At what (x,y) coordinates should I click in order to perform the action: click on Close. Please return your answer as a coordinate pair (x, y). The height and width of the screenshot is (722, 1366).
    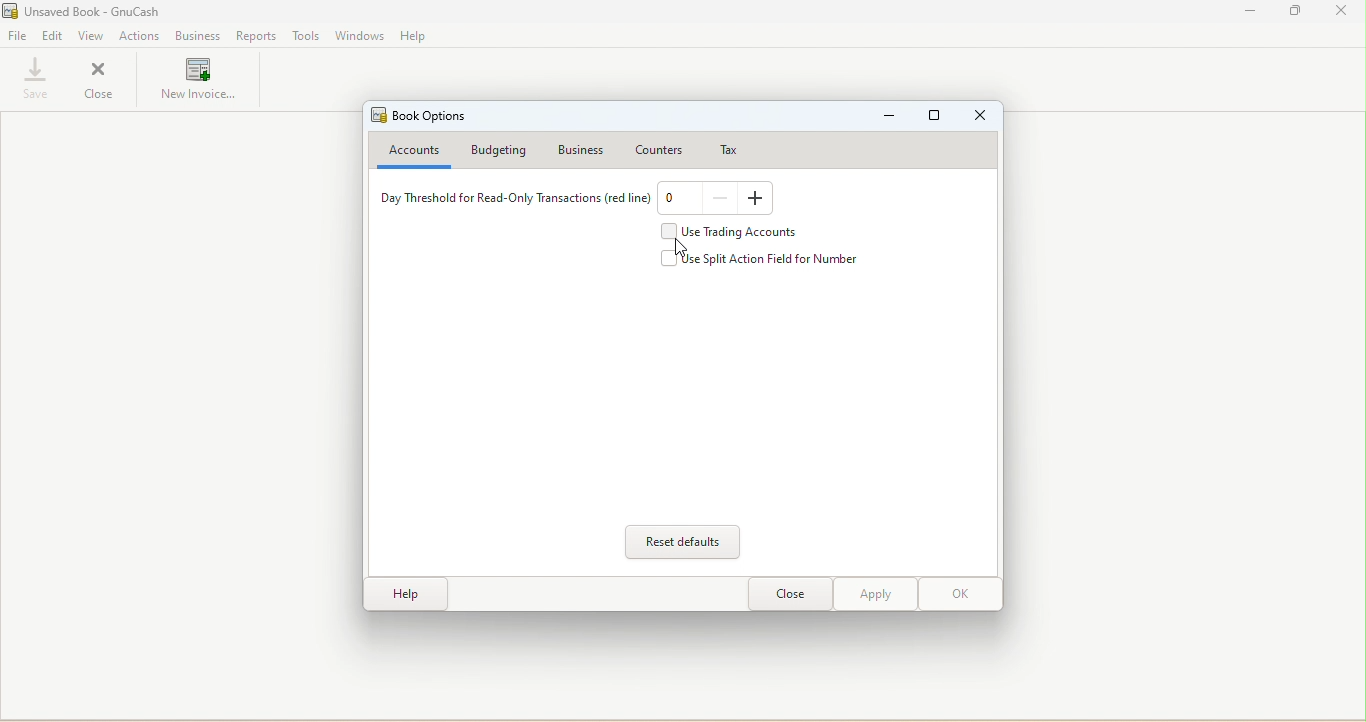
    Looking at the image, I should click on (982, 117).